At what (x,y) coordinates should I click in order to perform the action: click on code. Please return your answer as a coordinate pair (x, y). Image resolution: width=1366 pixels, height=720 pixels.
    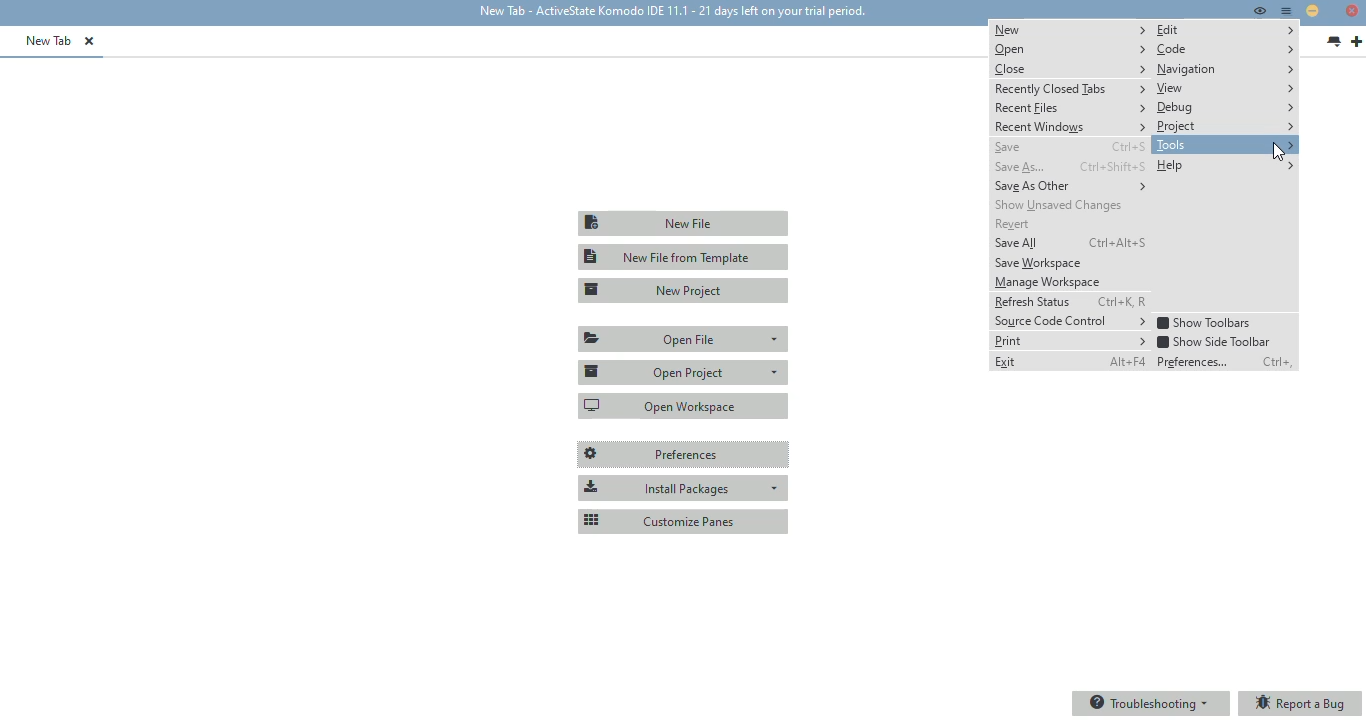
    Looking at the image, I should click on (1225, 49).